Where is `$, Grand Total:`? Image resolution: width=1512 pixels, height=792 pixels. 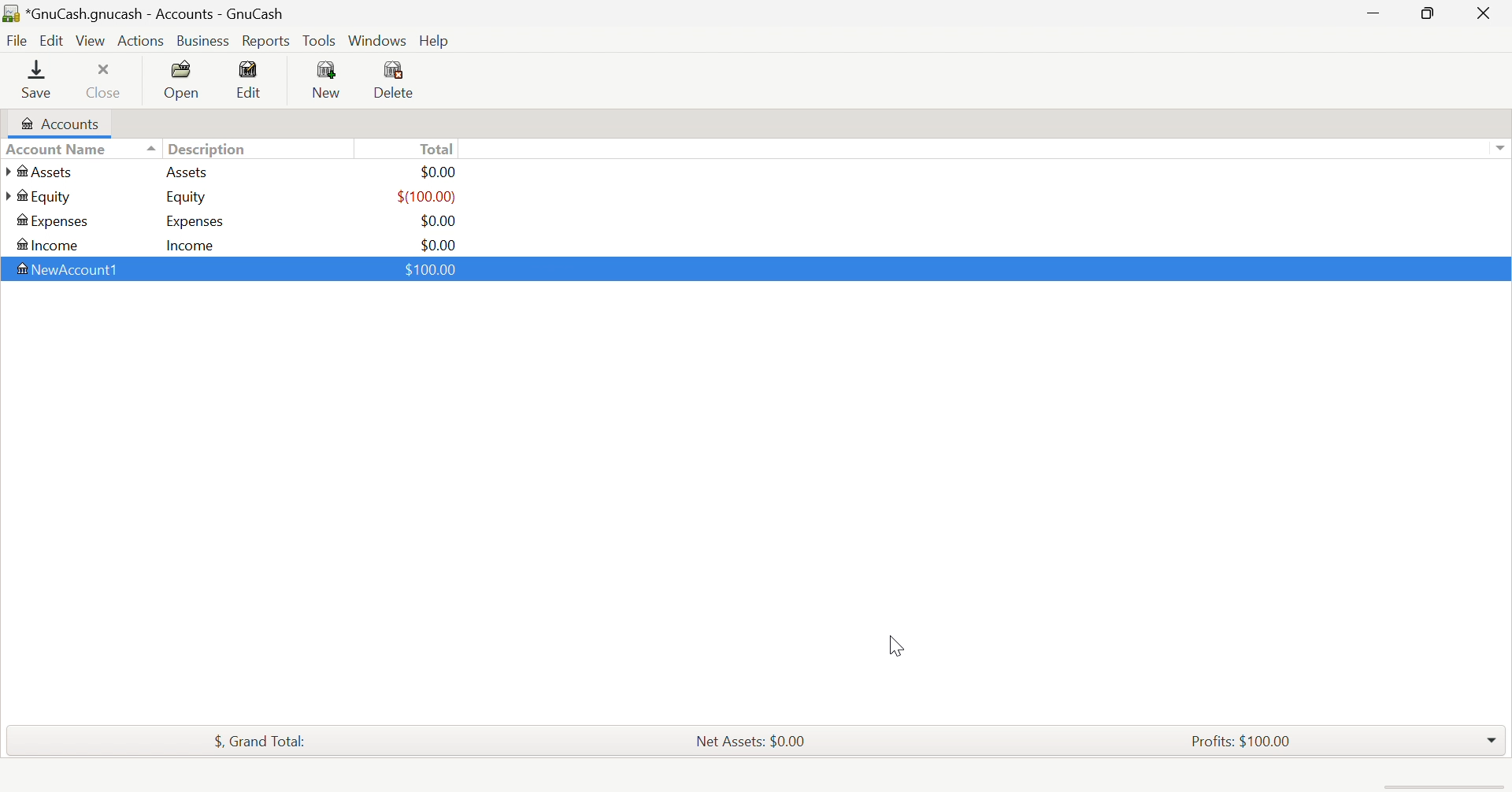
$, Grand Total: is located at coordinates (264, 741).